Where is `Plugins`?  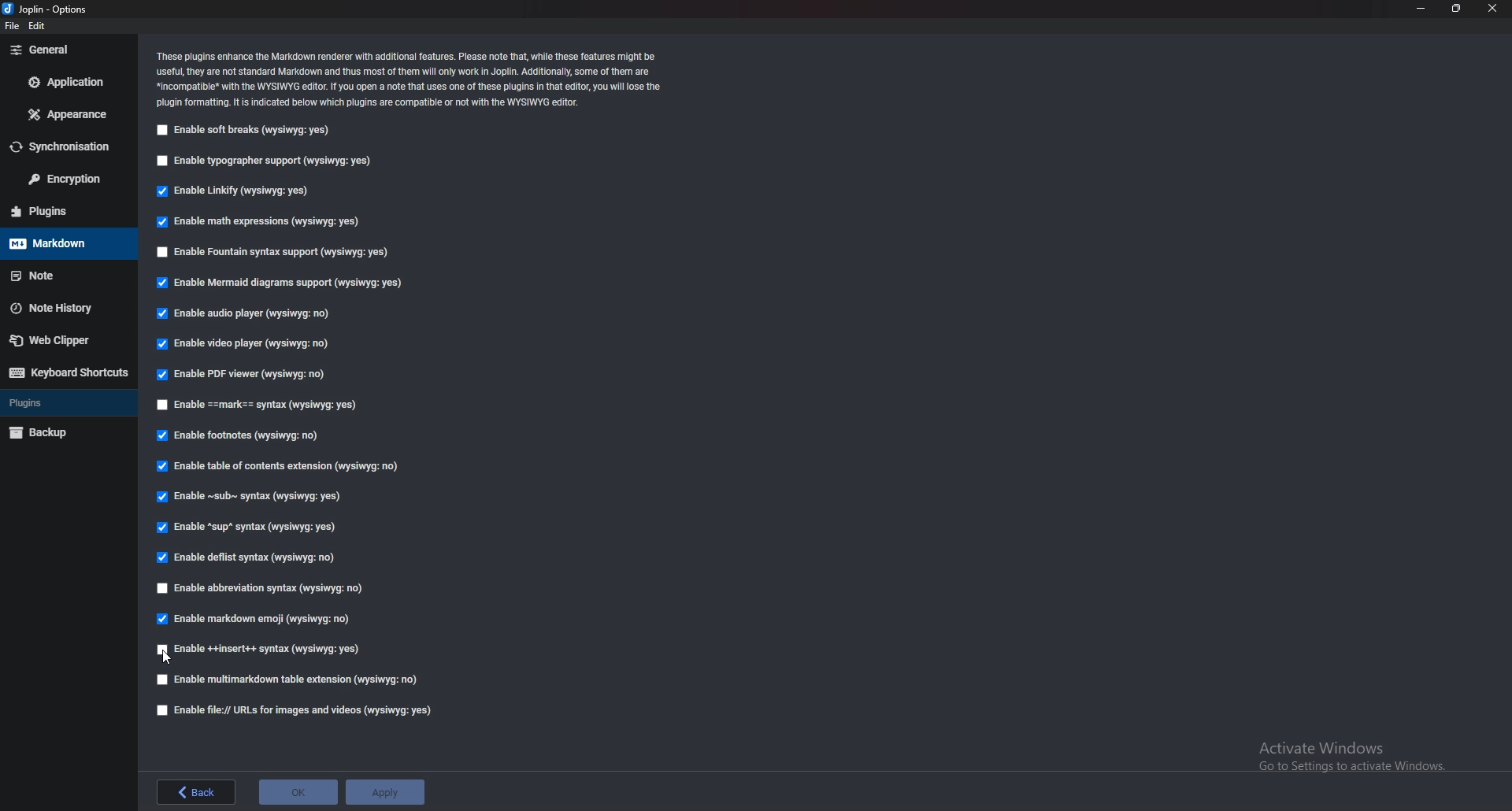
Plugins is located at coordinates (66, 403).